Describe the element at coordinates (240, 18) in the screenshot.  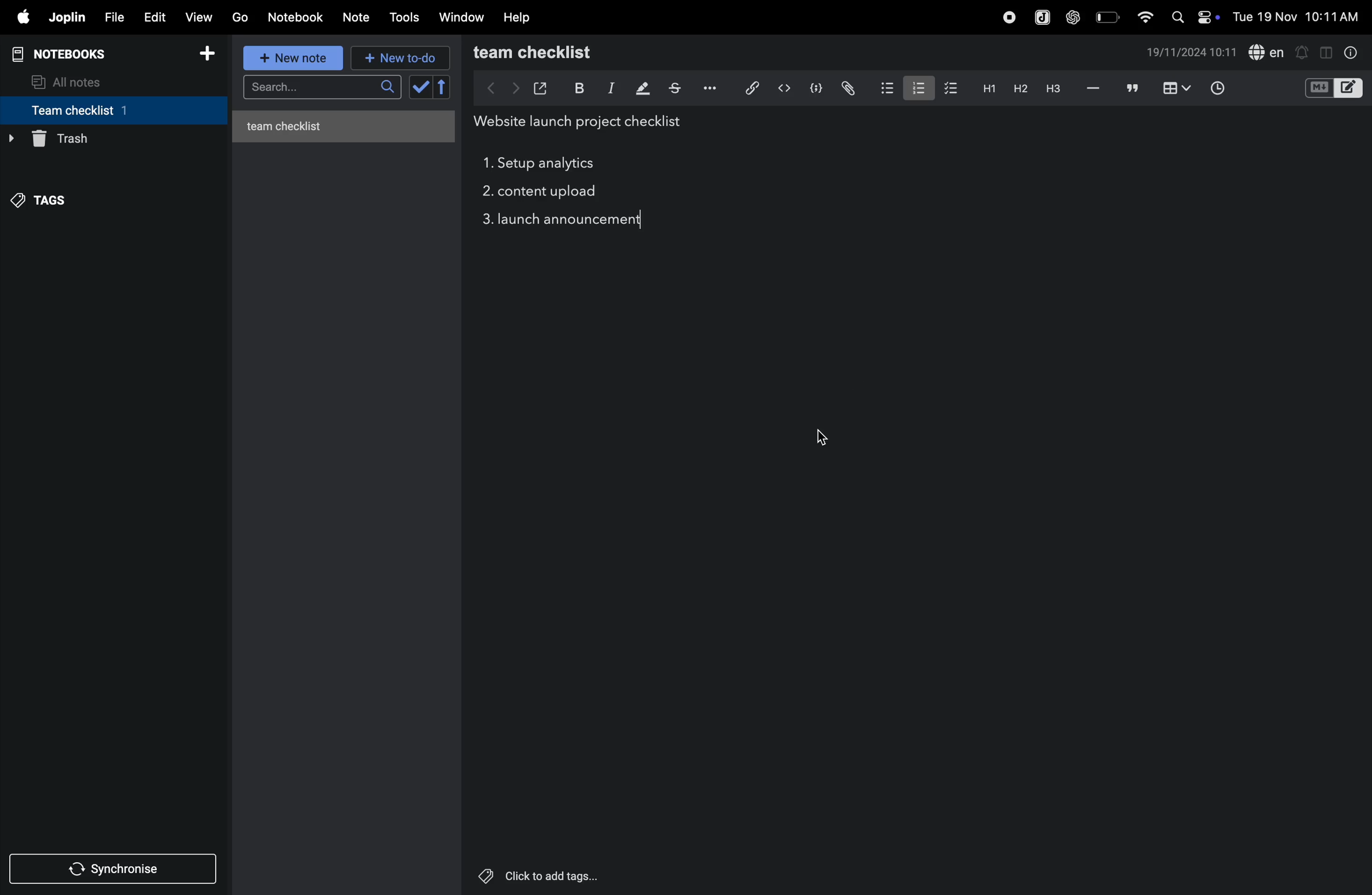
I see `go` at that location.